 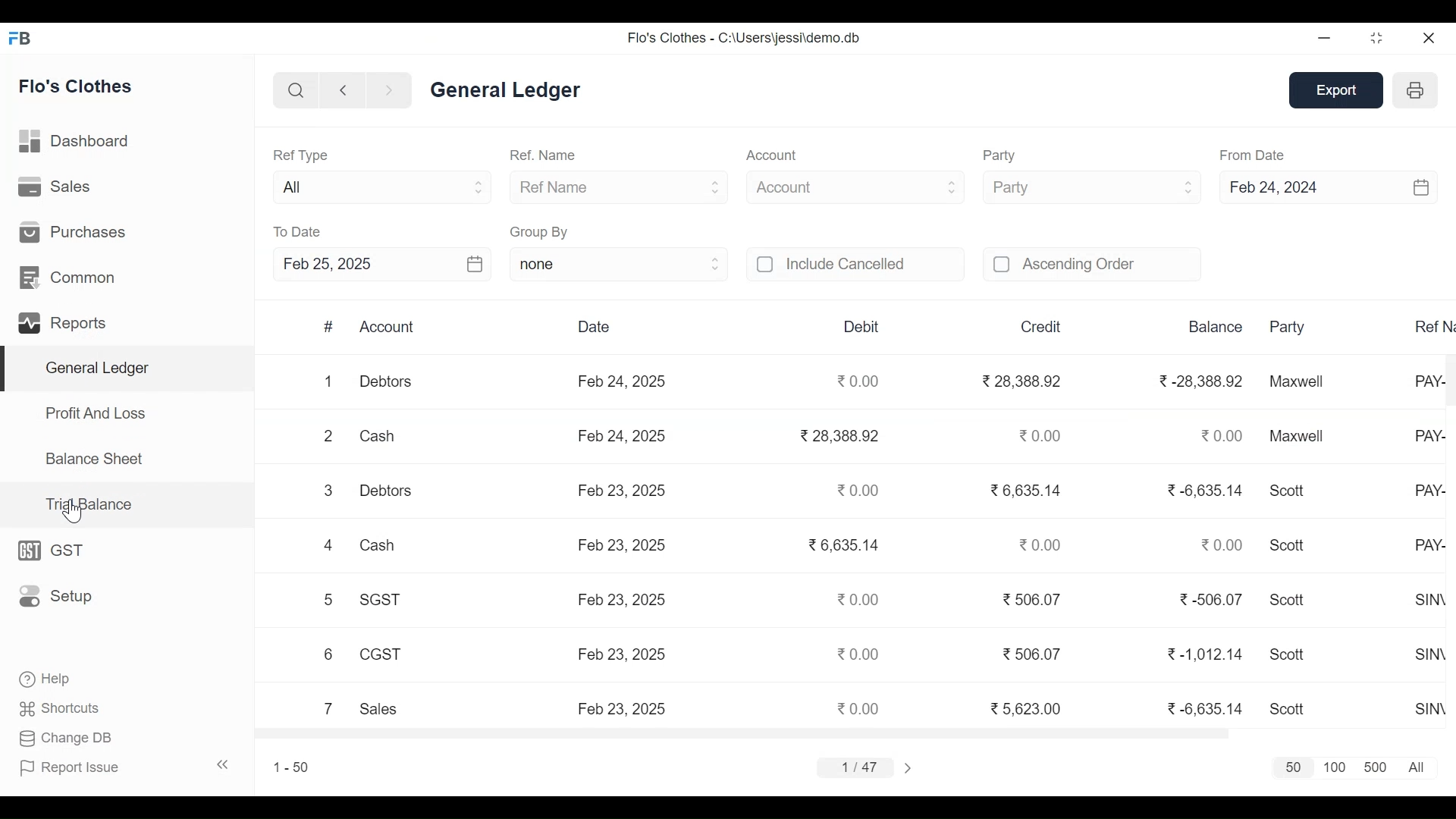 I want to click on Common, so click(x=70, y=276).